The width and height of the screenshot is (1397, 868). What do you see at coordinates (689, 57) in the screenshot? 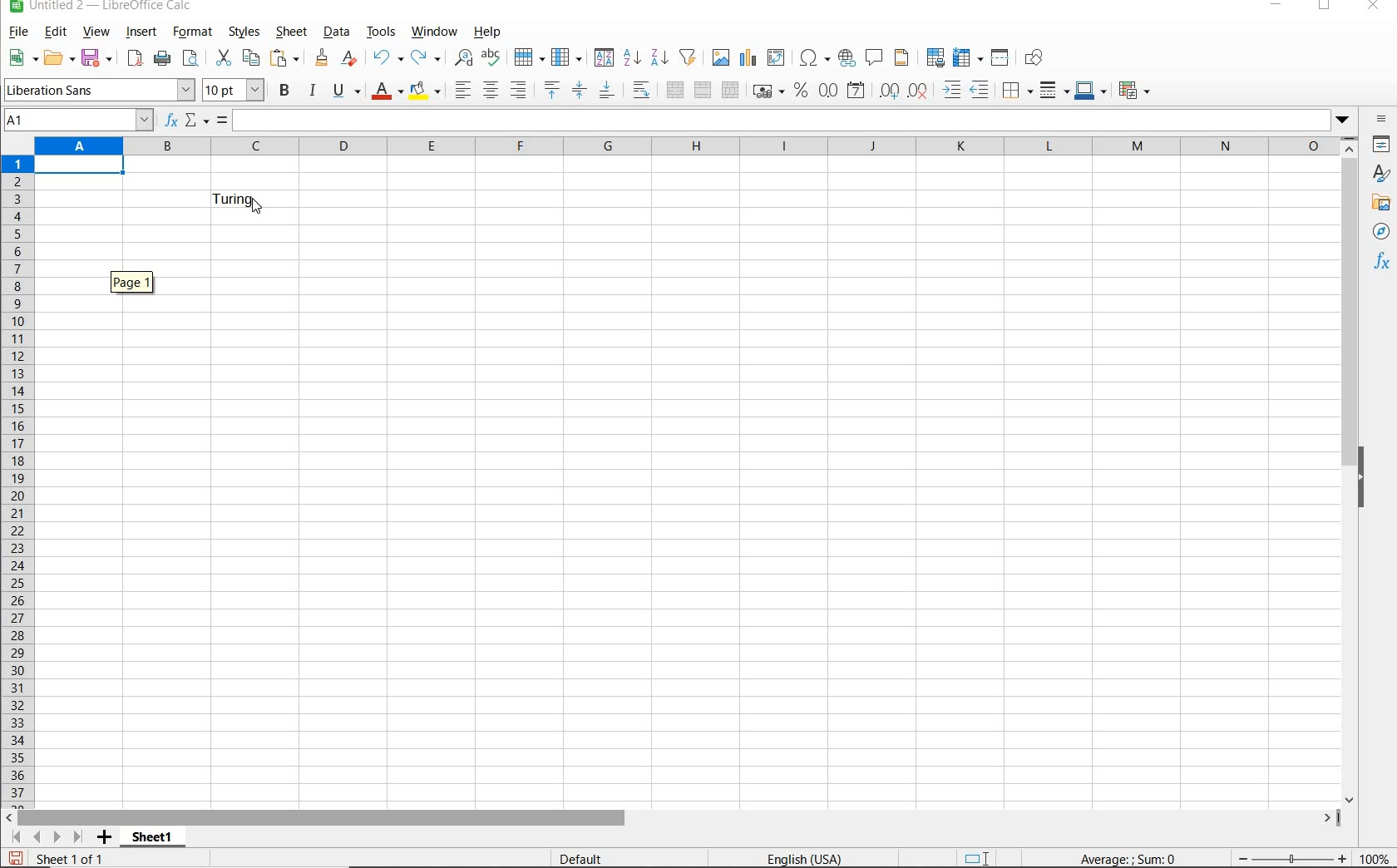
I see `AUTOFILTER` at bounding box center [689, 57].